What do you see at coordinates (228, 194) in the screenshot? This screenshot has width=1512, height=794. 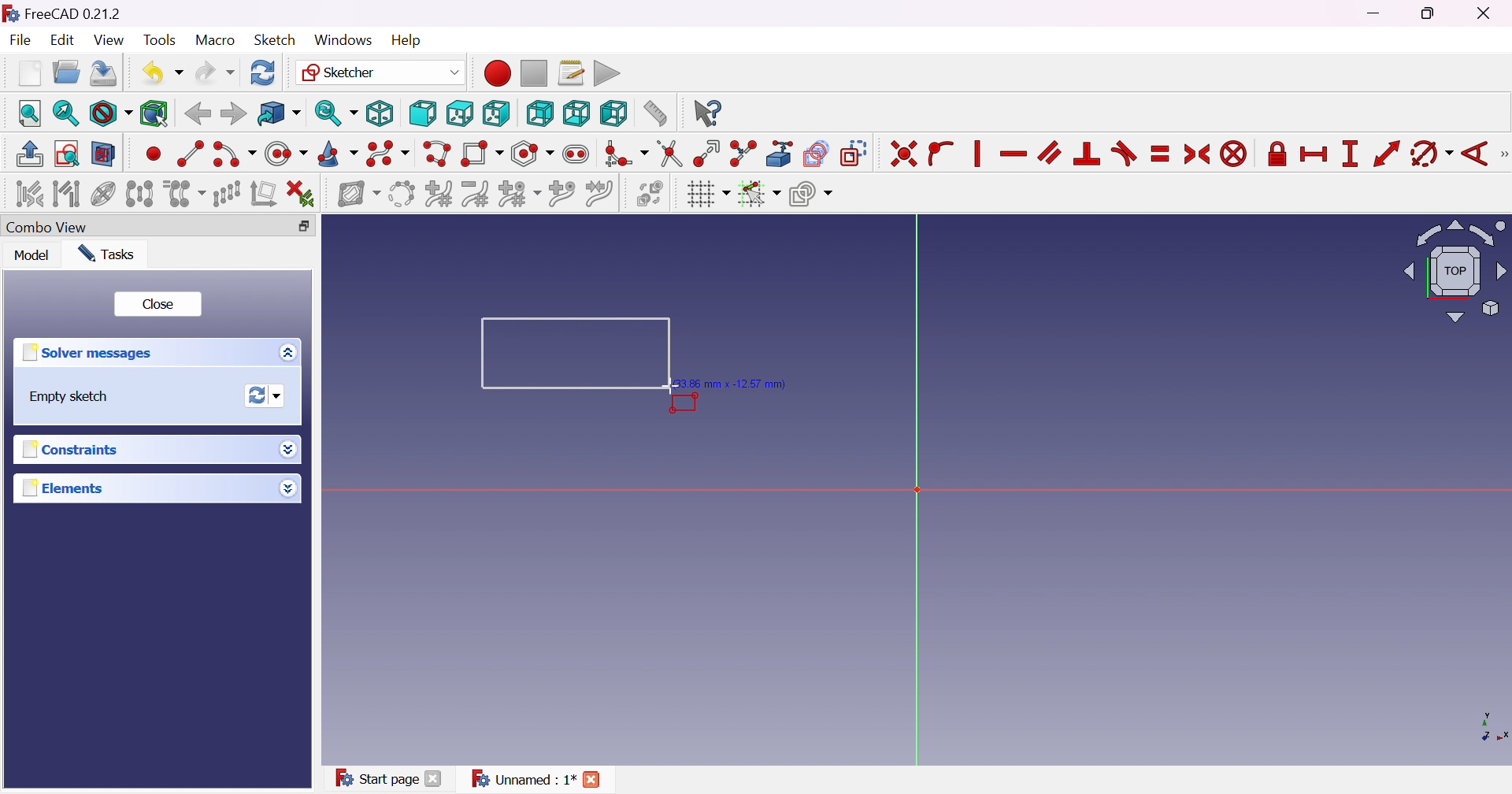 I see `Rectangular array` at bounding box center [228, 194].